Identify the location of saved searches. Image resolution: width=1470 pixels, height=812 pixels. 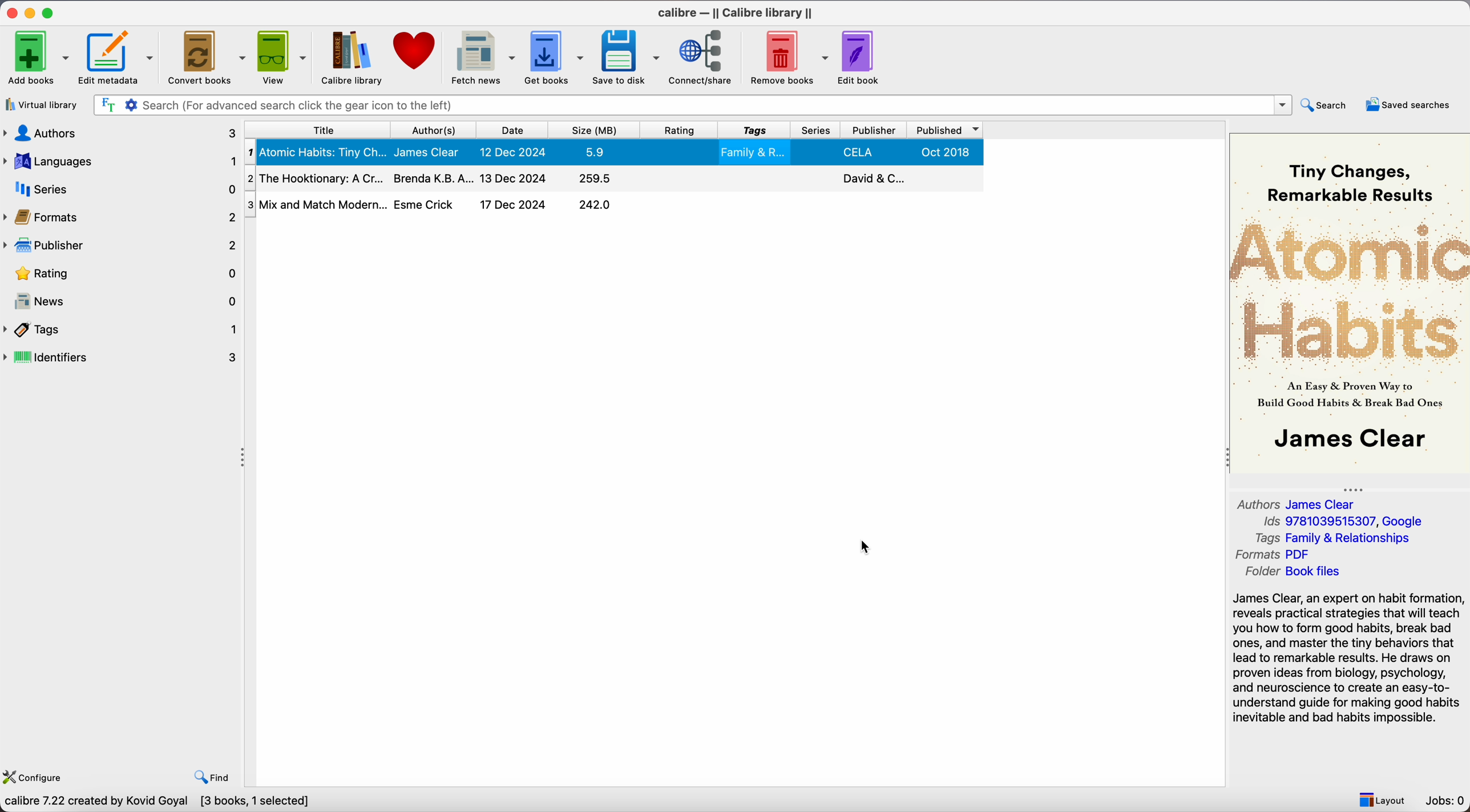
(1407, 105).